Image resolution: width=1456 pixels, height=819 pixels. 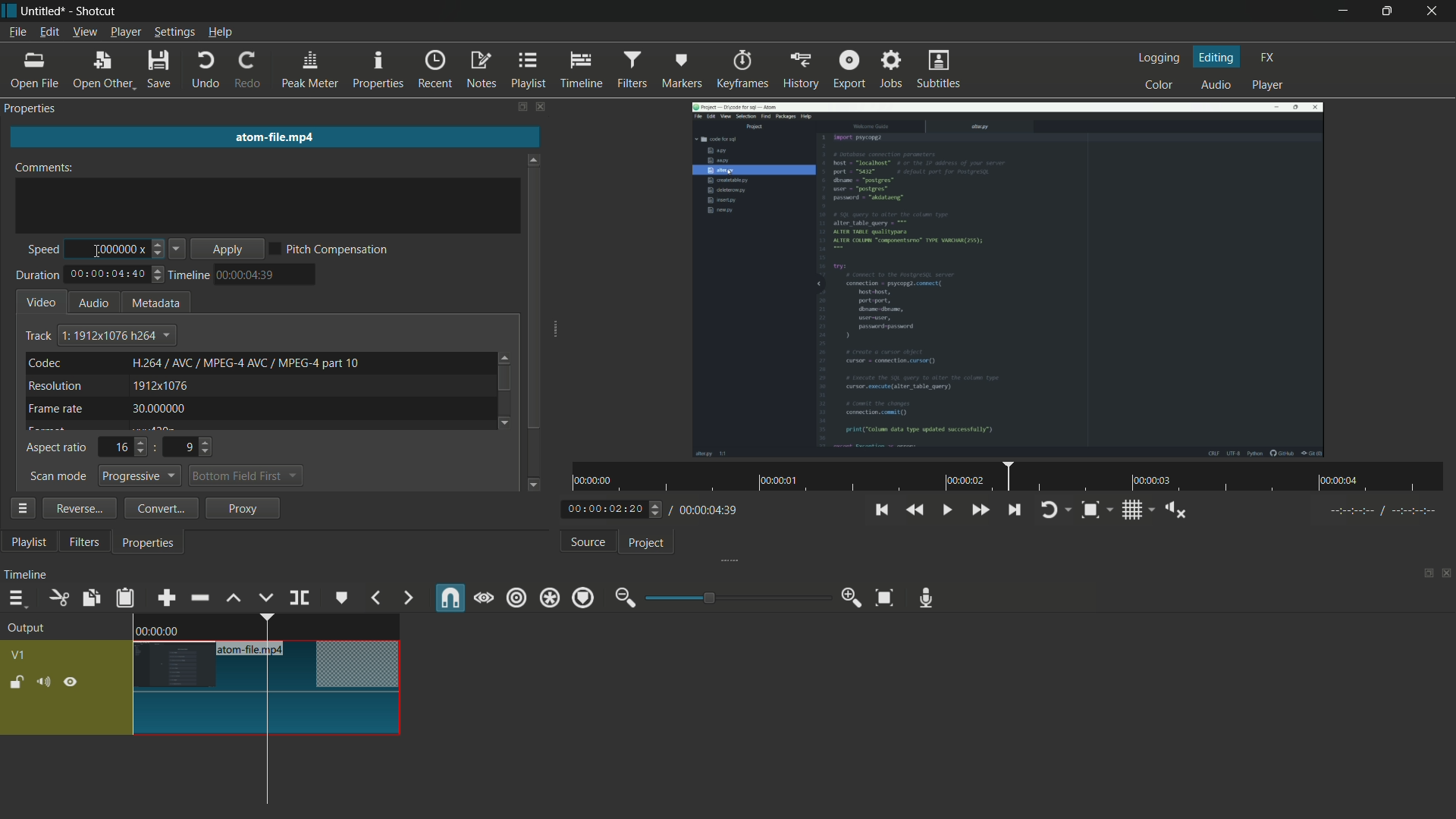 I want to click on peak meter, so click(x=309, y=71).